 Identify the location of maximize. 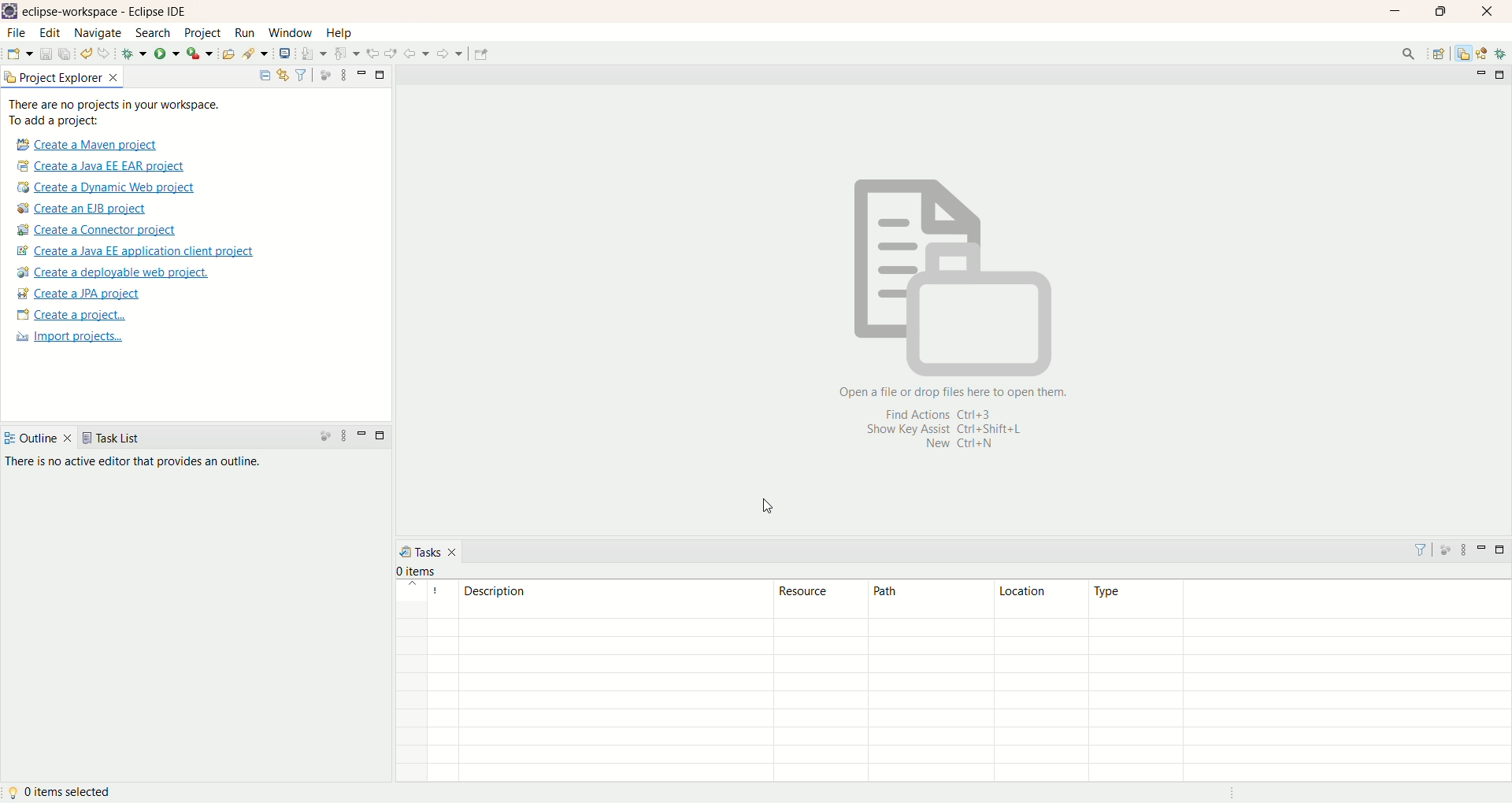
(382, 76).